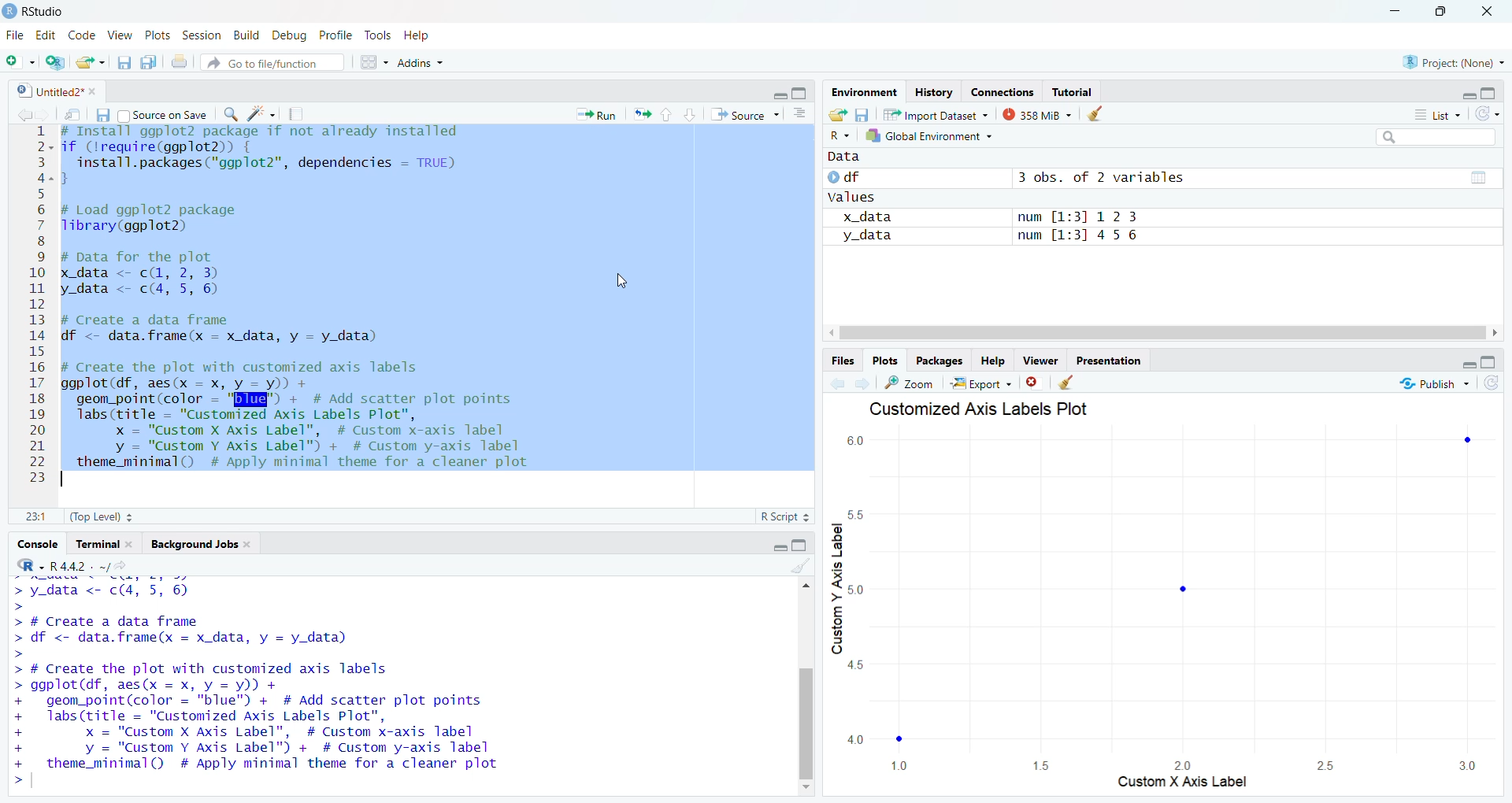  Describe the element at coordinates (106, 116) in the screenshot. I see `save` at that location.